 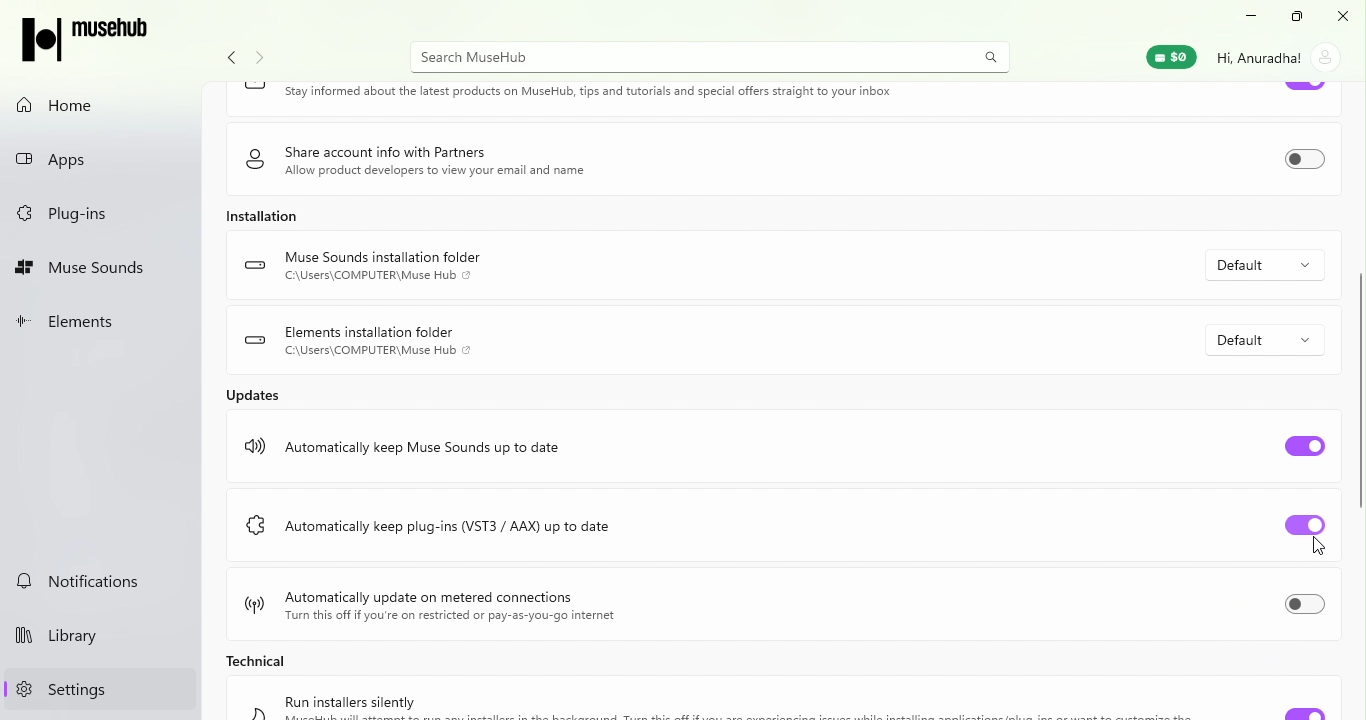 What do you see at coordinates (99, 164) in the screenshot?
I see `Apps` at bounding box center [99, 164].